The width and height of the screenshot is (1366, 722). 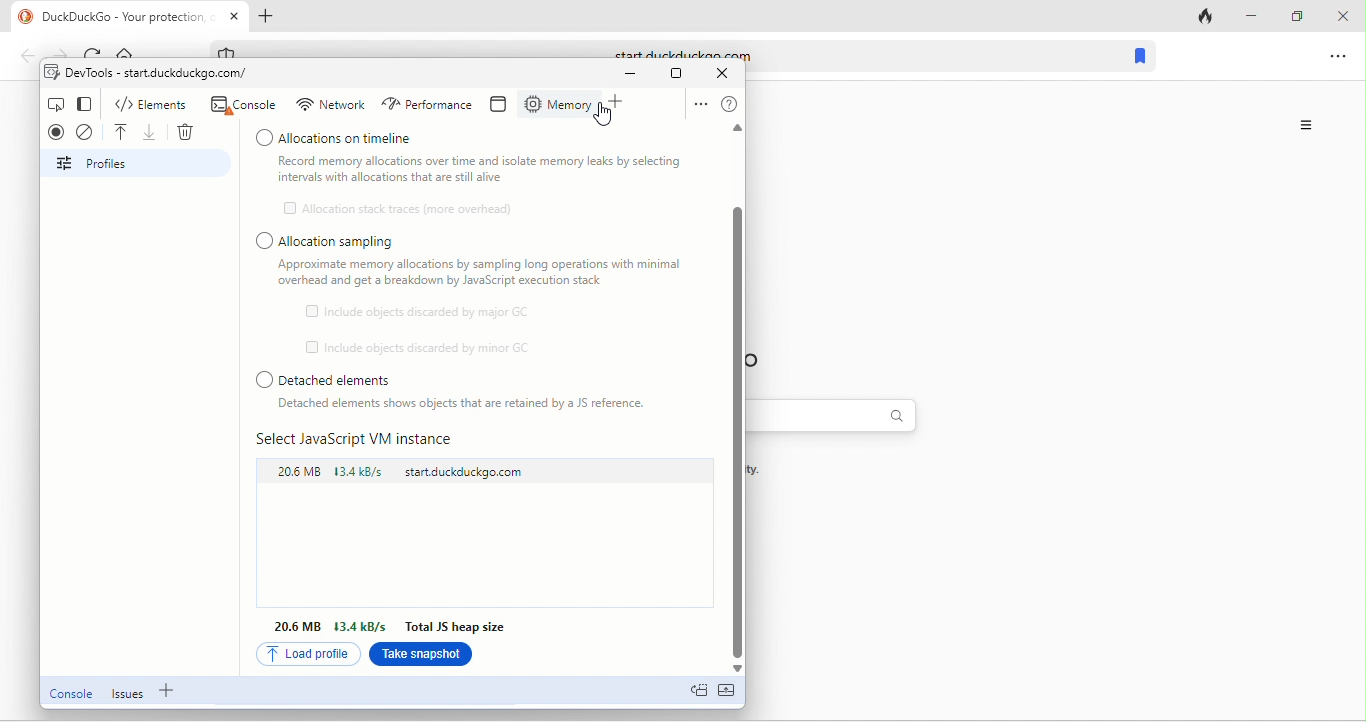 What do you see at coordinates (246, 105) in the screenshot?
I see `console` at bounding box center [246, 105].